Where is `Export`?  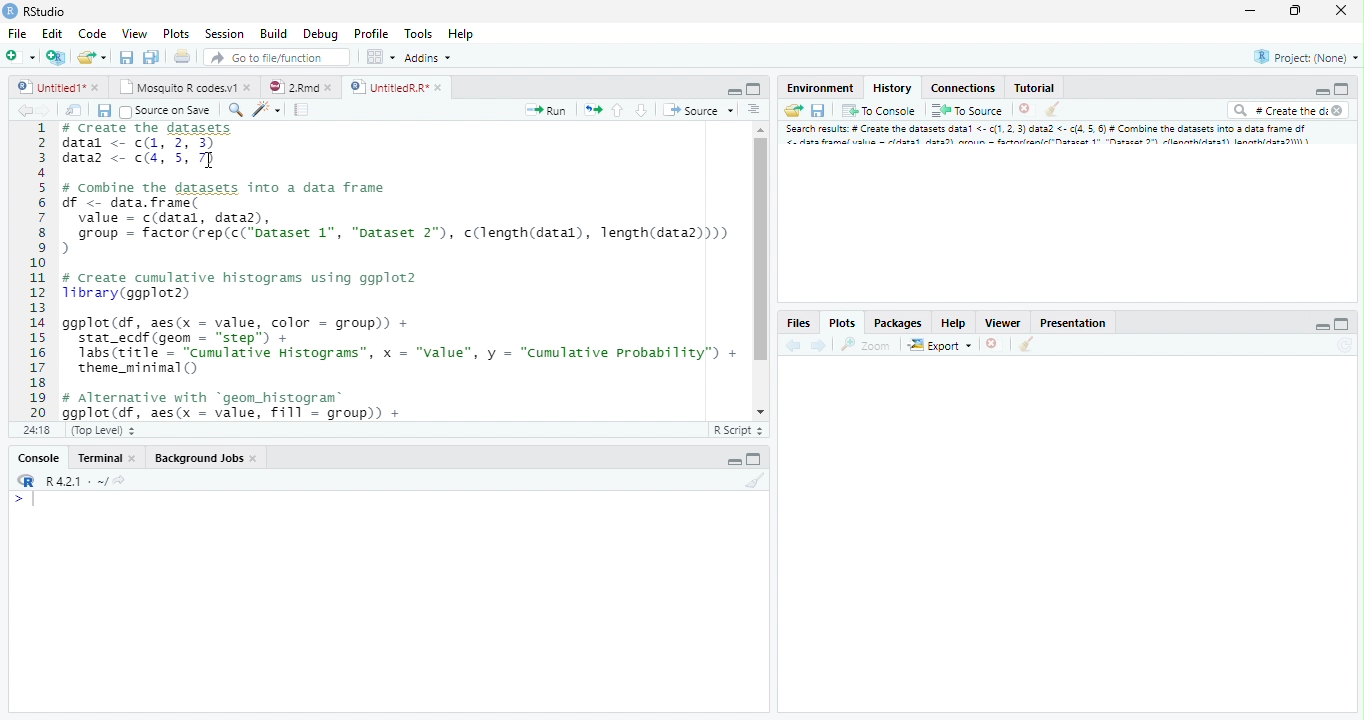 Export is located at coordinates (940, 345).